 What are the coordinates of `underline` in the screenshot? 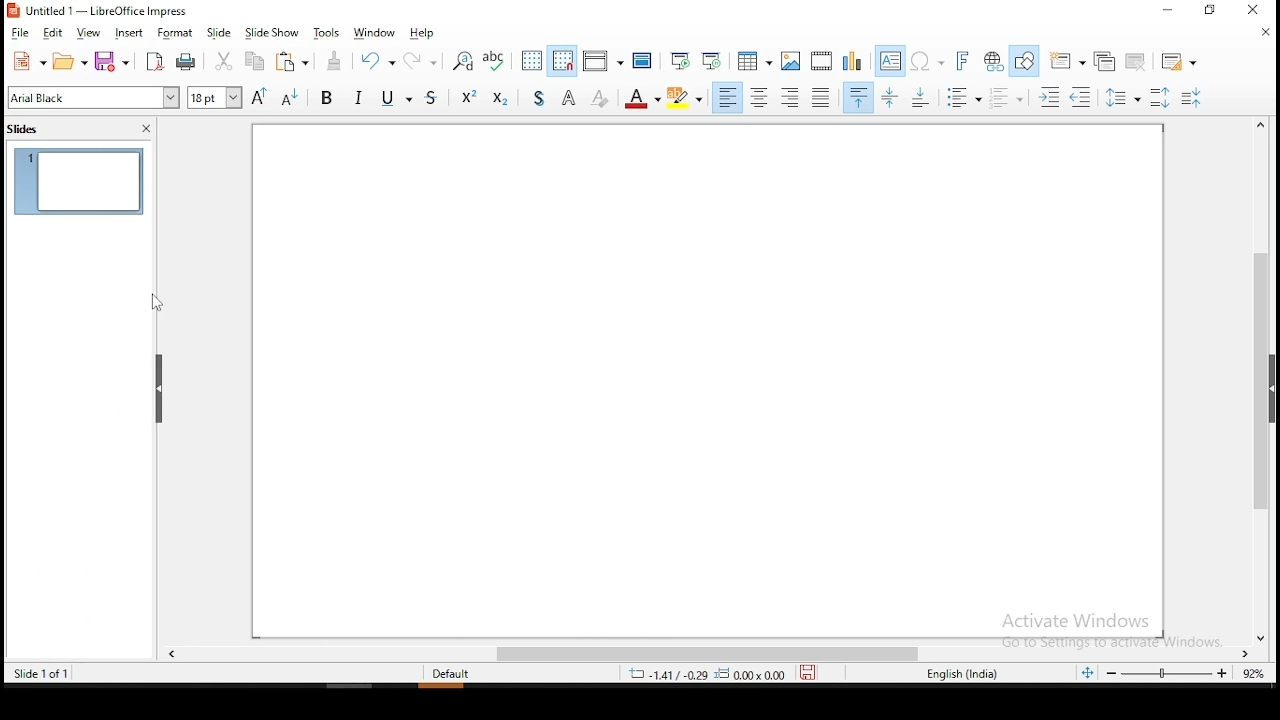 It's located at (400, 99).